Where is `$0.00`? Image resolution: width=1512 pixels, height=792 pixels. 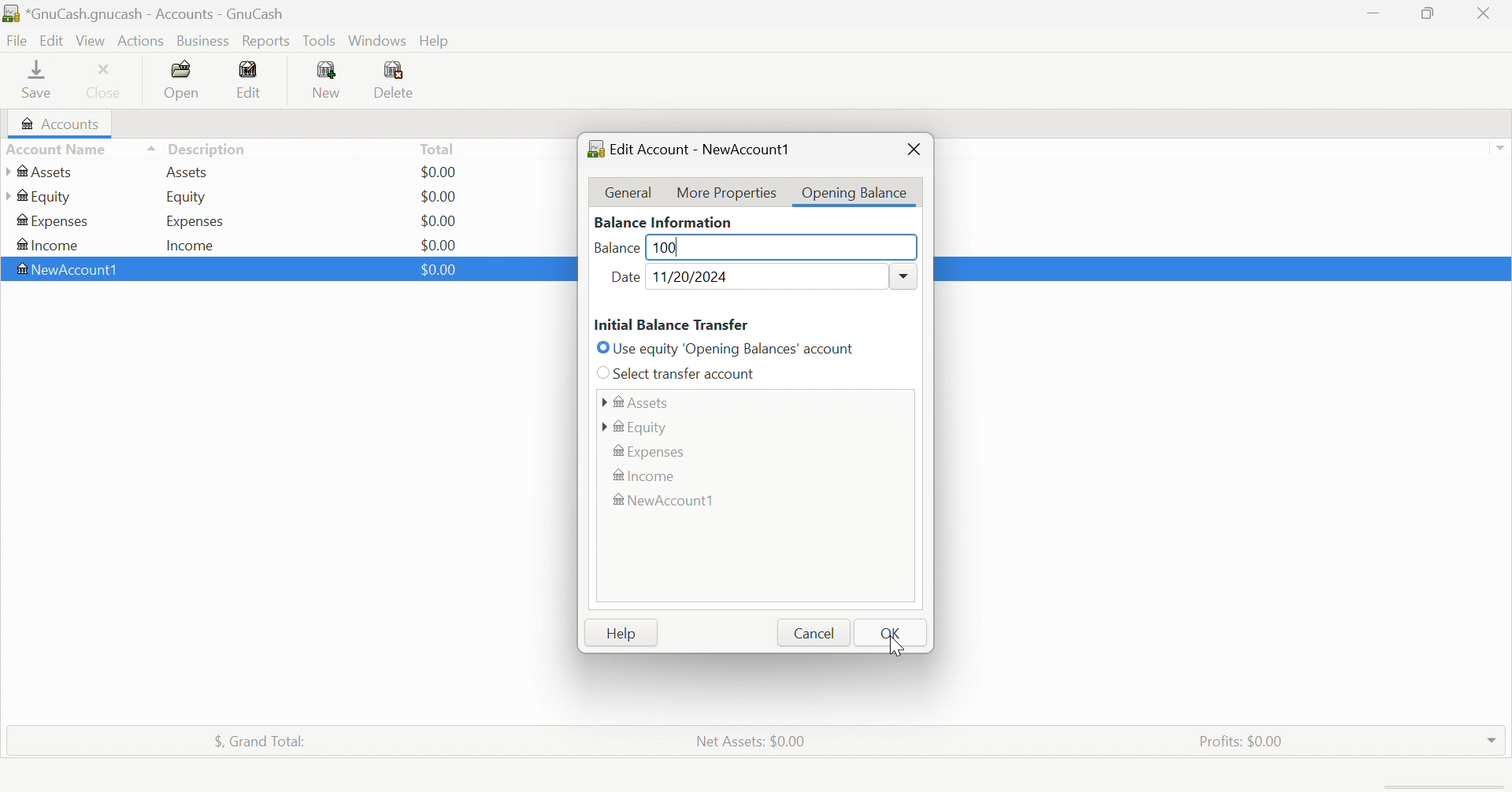
$0.00 is located at coordinates (443, 172).